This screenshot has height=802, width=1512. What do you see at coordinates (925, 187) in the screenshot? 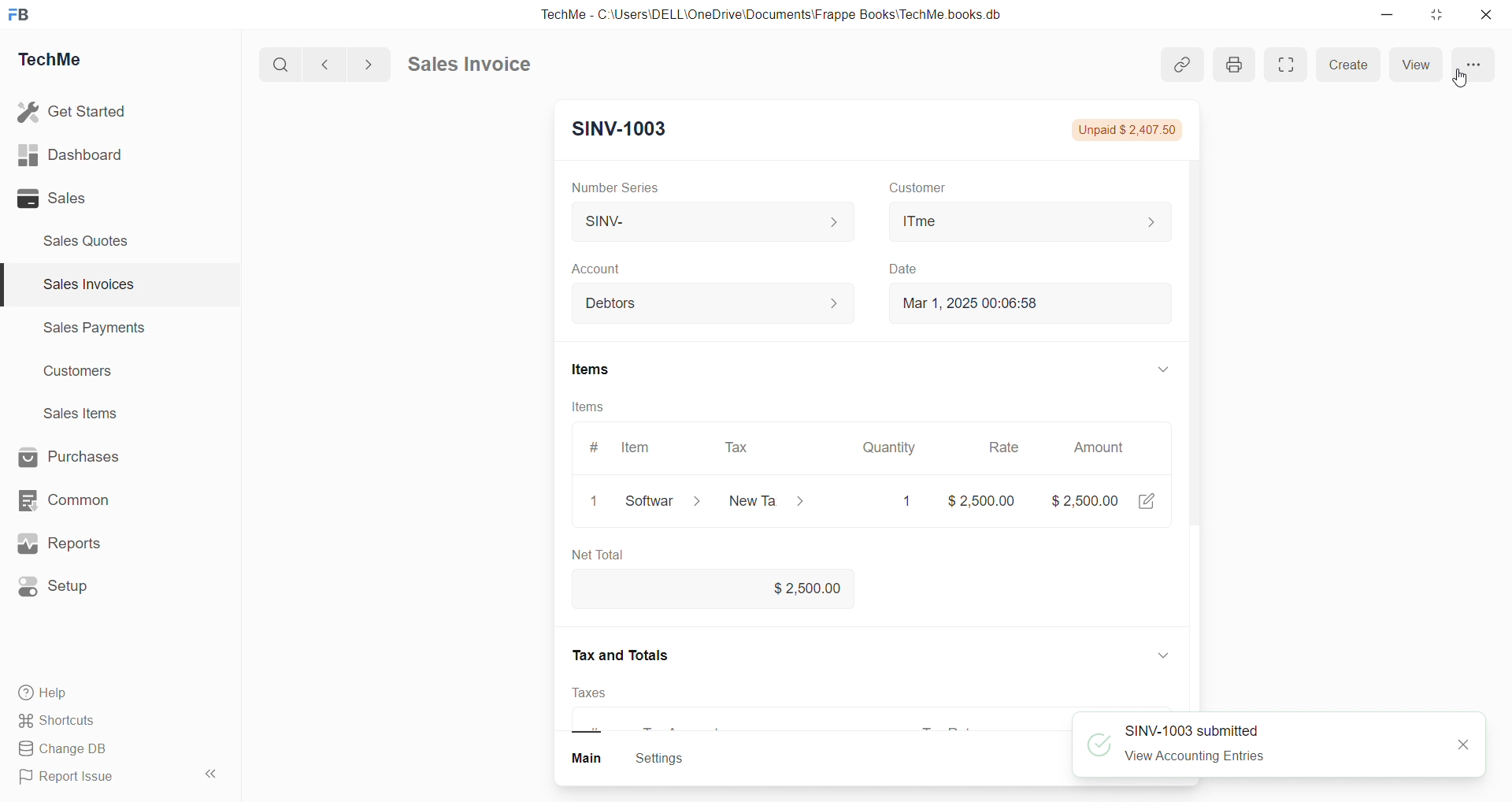
I see `Customer` at bounding box center [925, 187].